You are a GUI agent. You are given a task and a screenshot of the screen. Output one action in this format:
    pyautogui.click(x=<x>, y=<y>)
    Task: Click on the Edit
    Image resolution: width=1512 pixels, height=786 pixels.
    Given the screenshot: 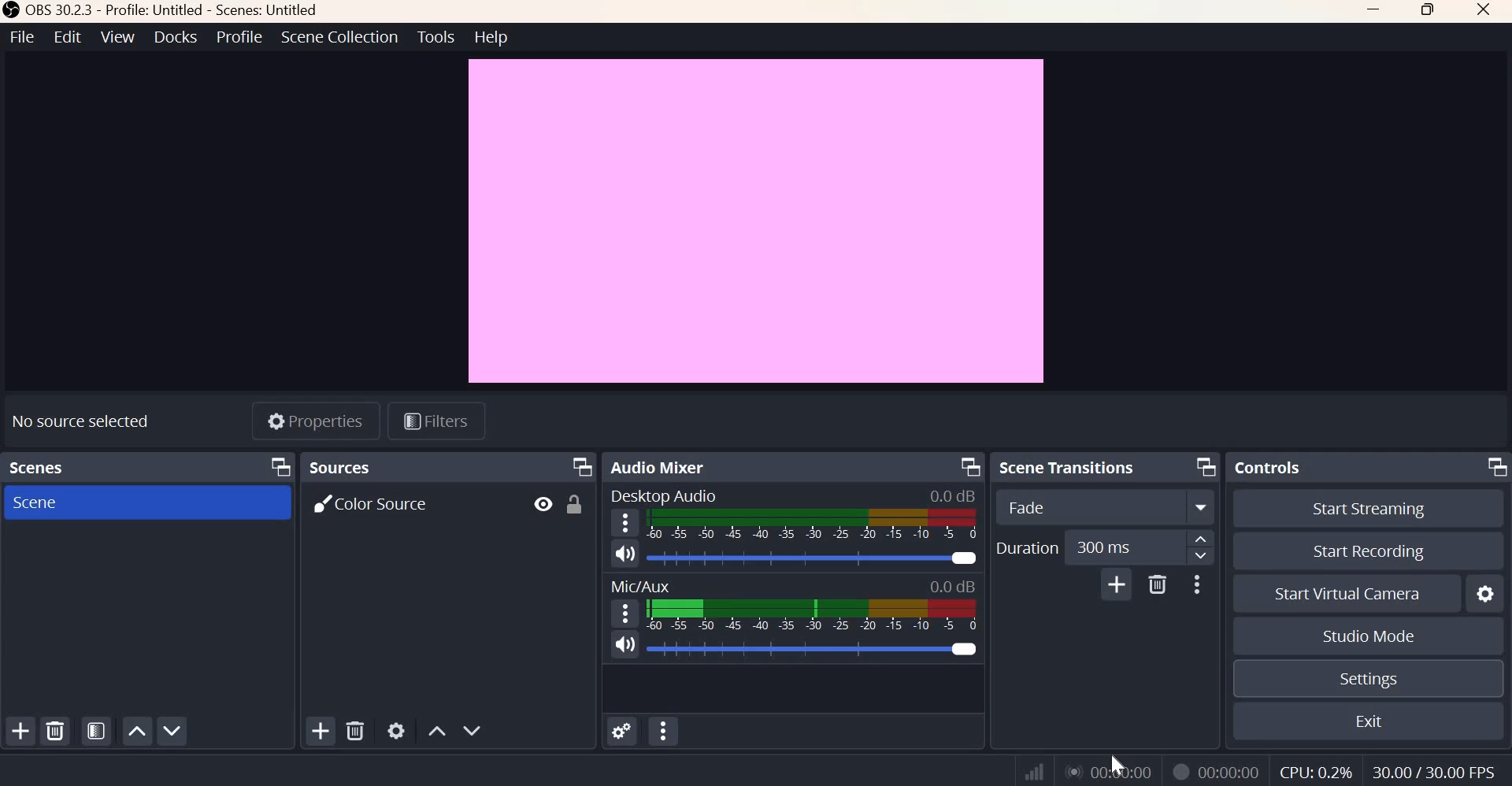 What is the action you would take?
    pyautogui.click(x=65, y=37)
    